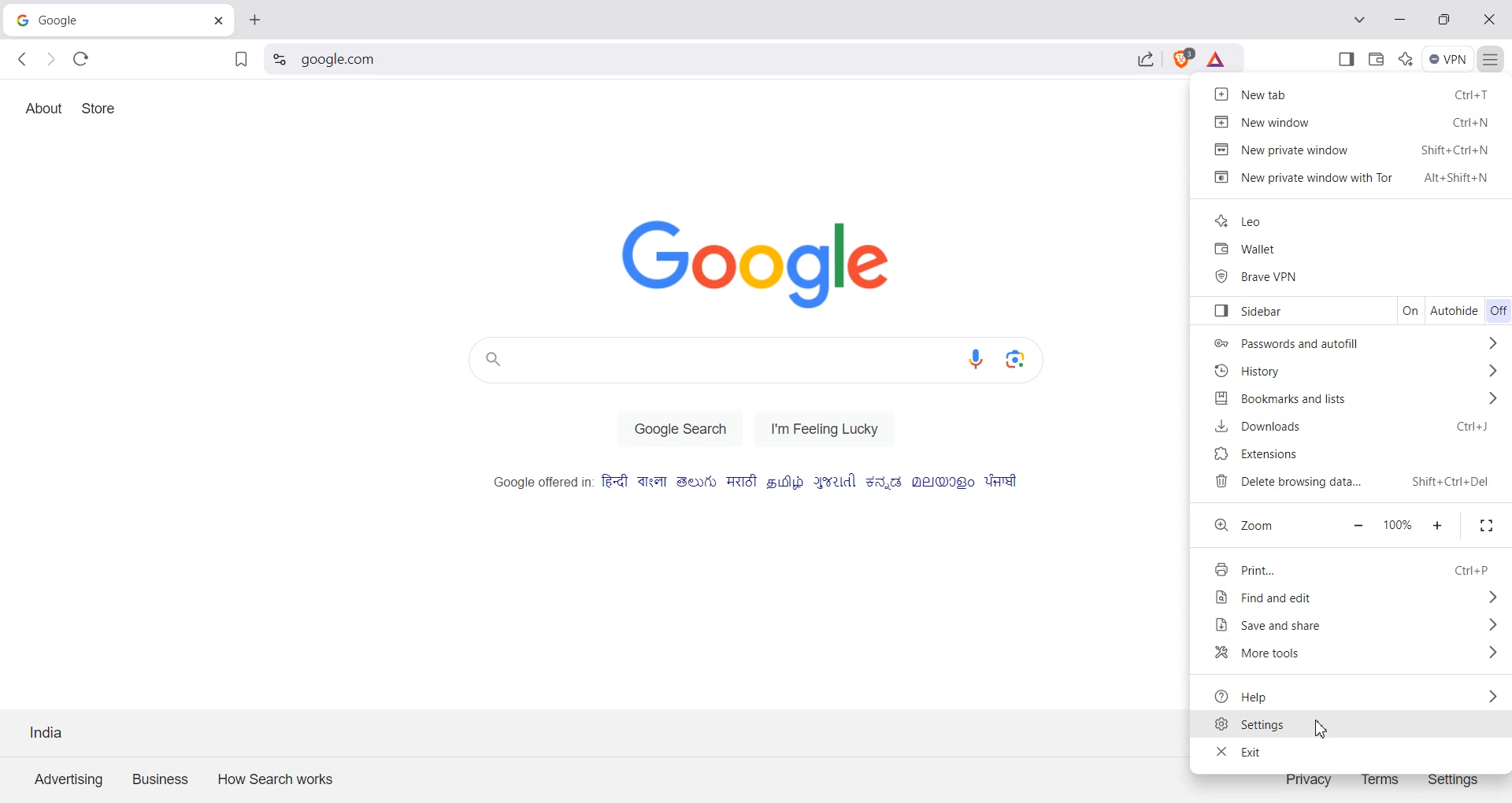 The image size is (1512, 803). I want to click on Exit, so click(1354, 752).